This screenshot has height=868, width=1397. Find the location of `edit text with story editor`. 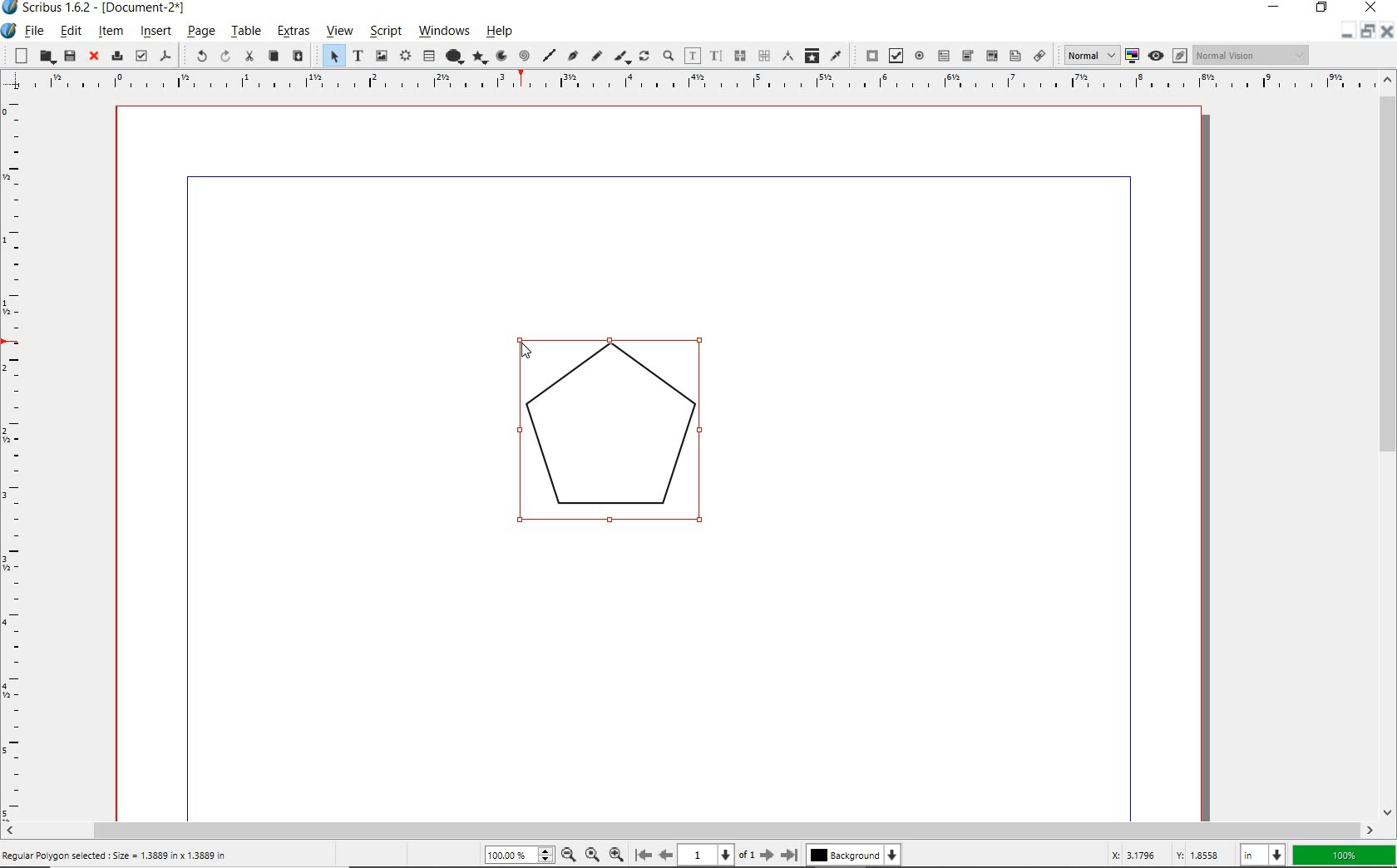

edit text with story editor is located at coordinates (717, 55).